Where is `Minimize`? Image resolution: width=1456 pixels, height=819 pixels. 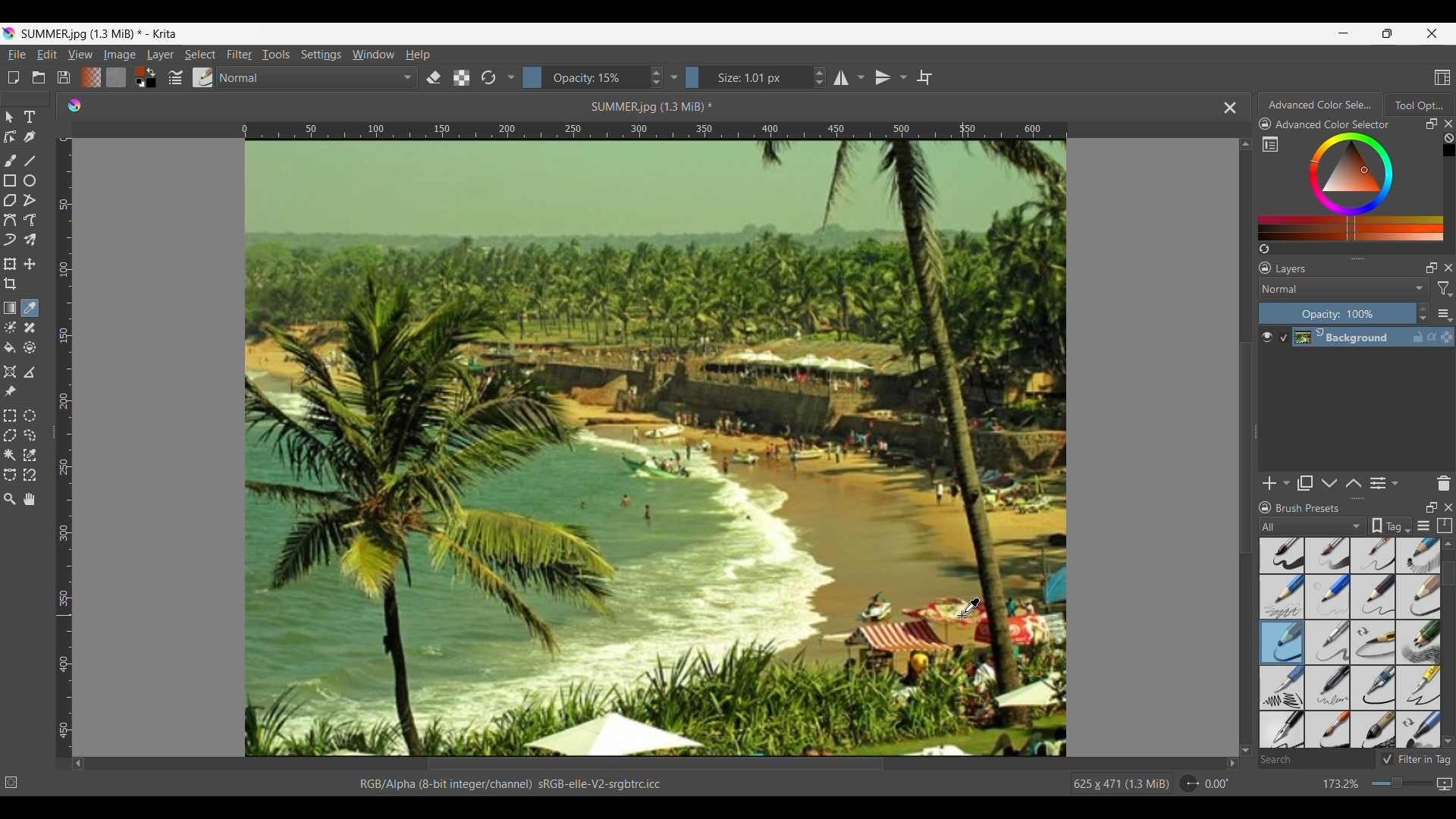
Minimize is located at coordinates (1344, 33).